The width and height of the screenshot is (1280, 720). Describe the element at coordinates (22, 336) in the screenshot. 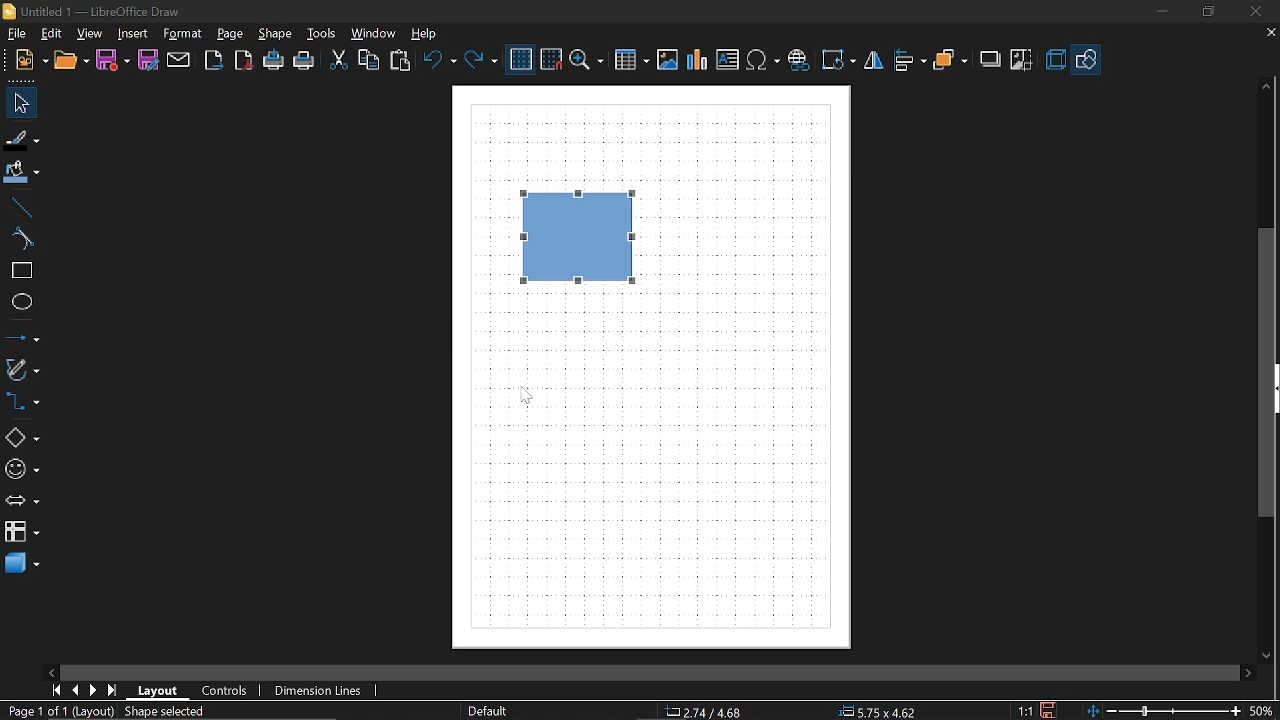

I see `Lines and arrows` at that location.